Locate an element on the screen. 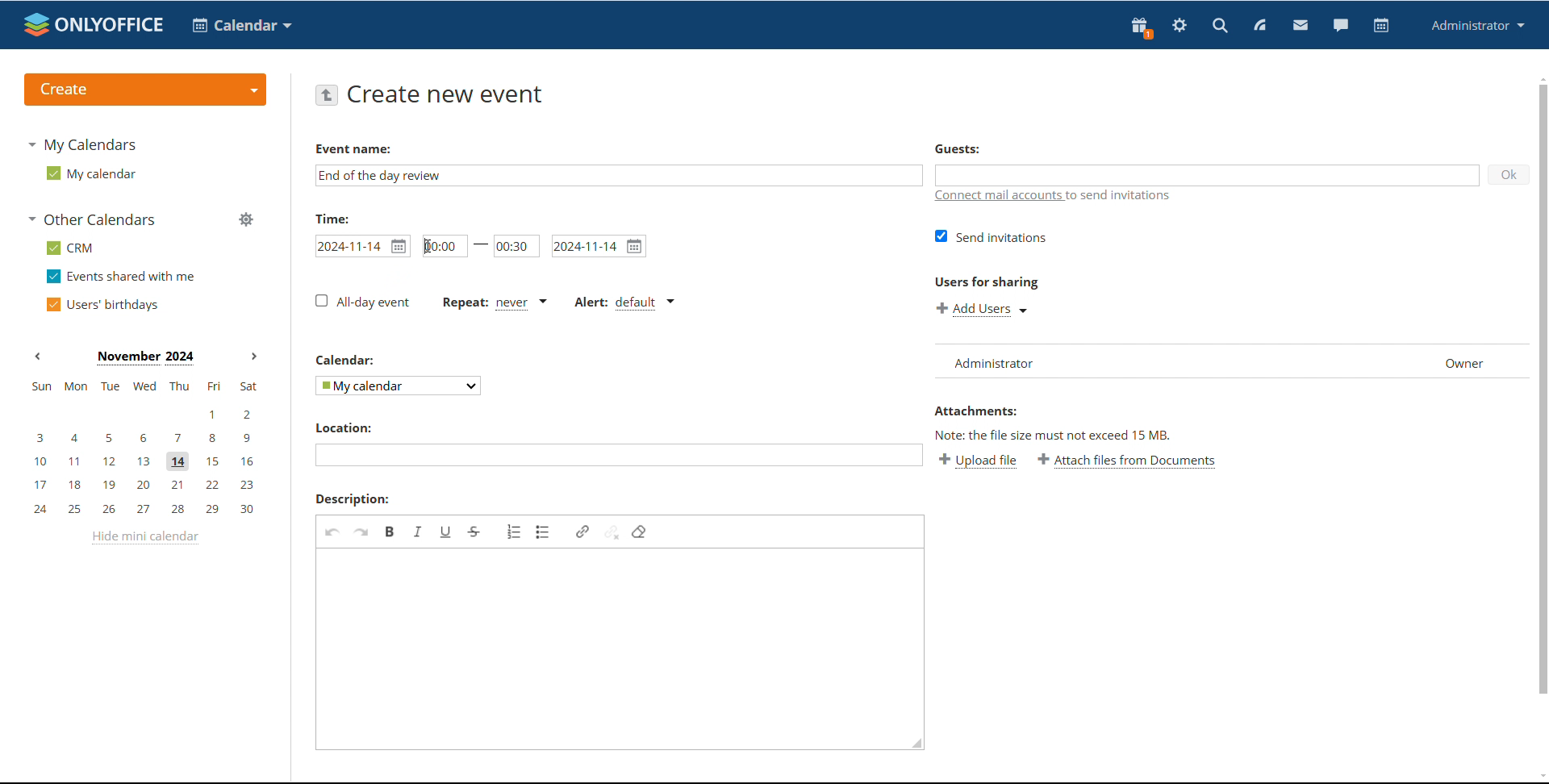 The height and width of the screenshot is (784, 1549). add description is located at coordinates (619, 649).